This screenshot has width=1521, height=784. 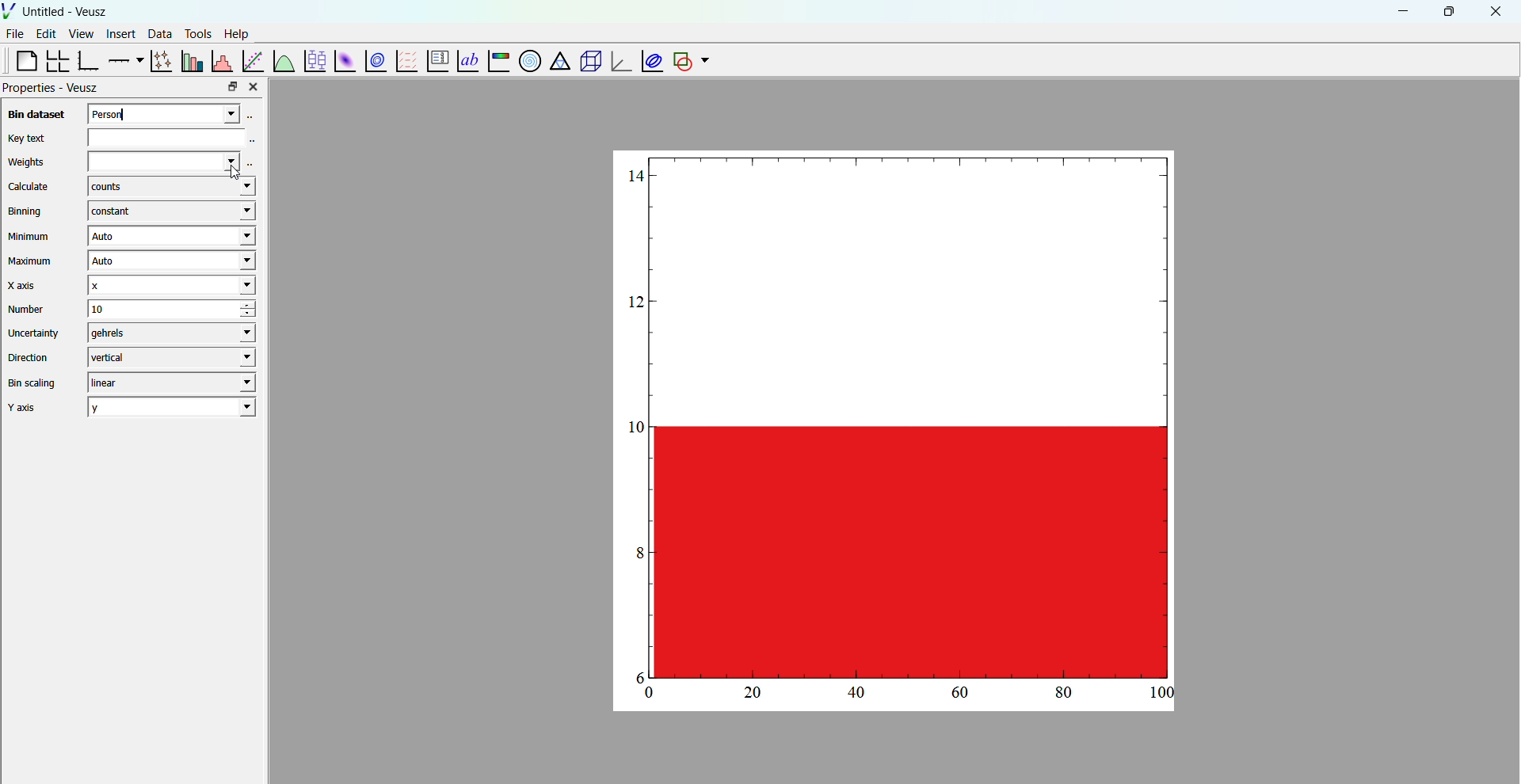 I want to click on plot 2d dataset as an image, so click(x=342, y=61).